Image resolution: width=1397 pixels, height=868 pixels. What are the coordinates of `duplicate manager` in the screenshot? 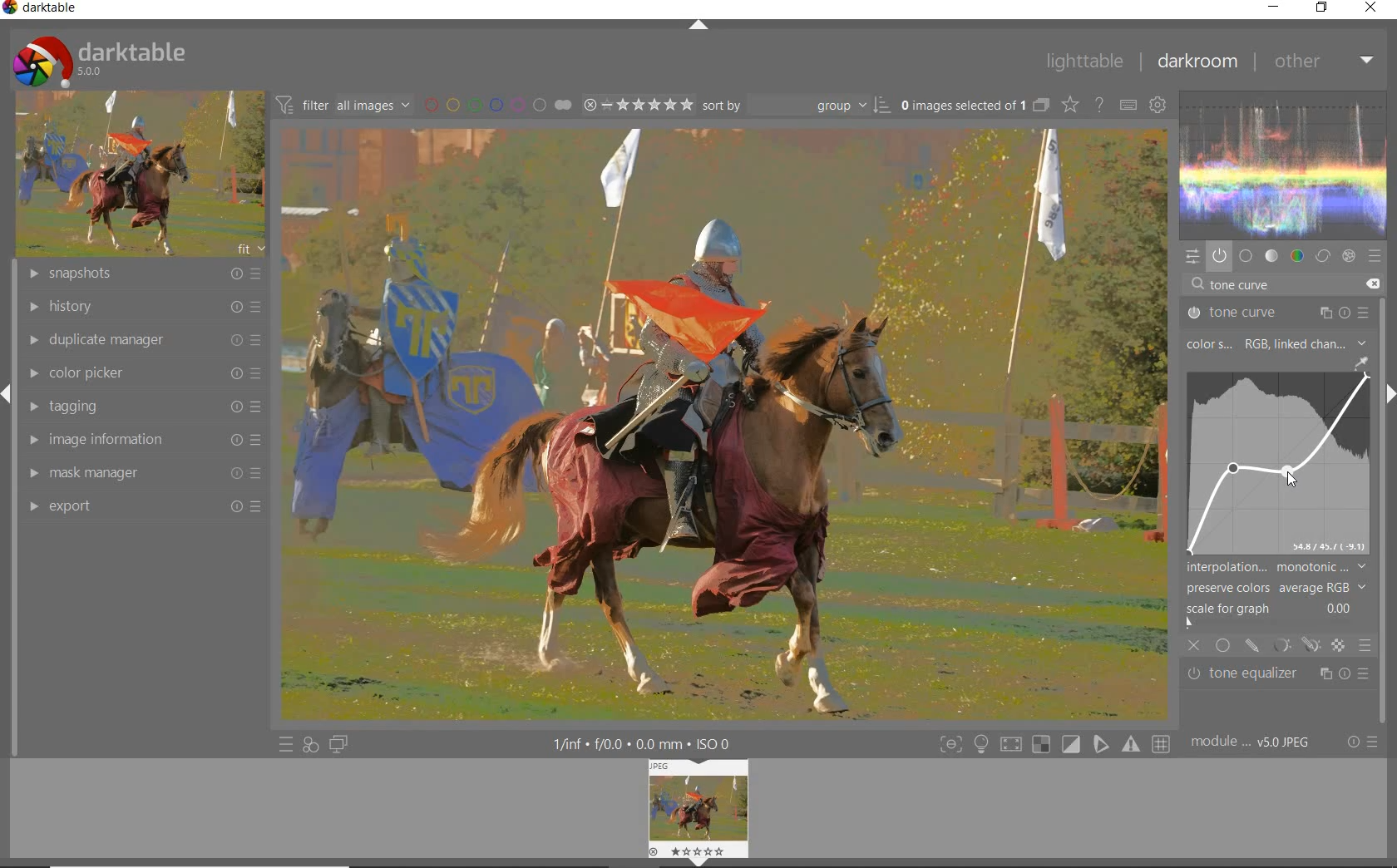 It's located at (144, 339).